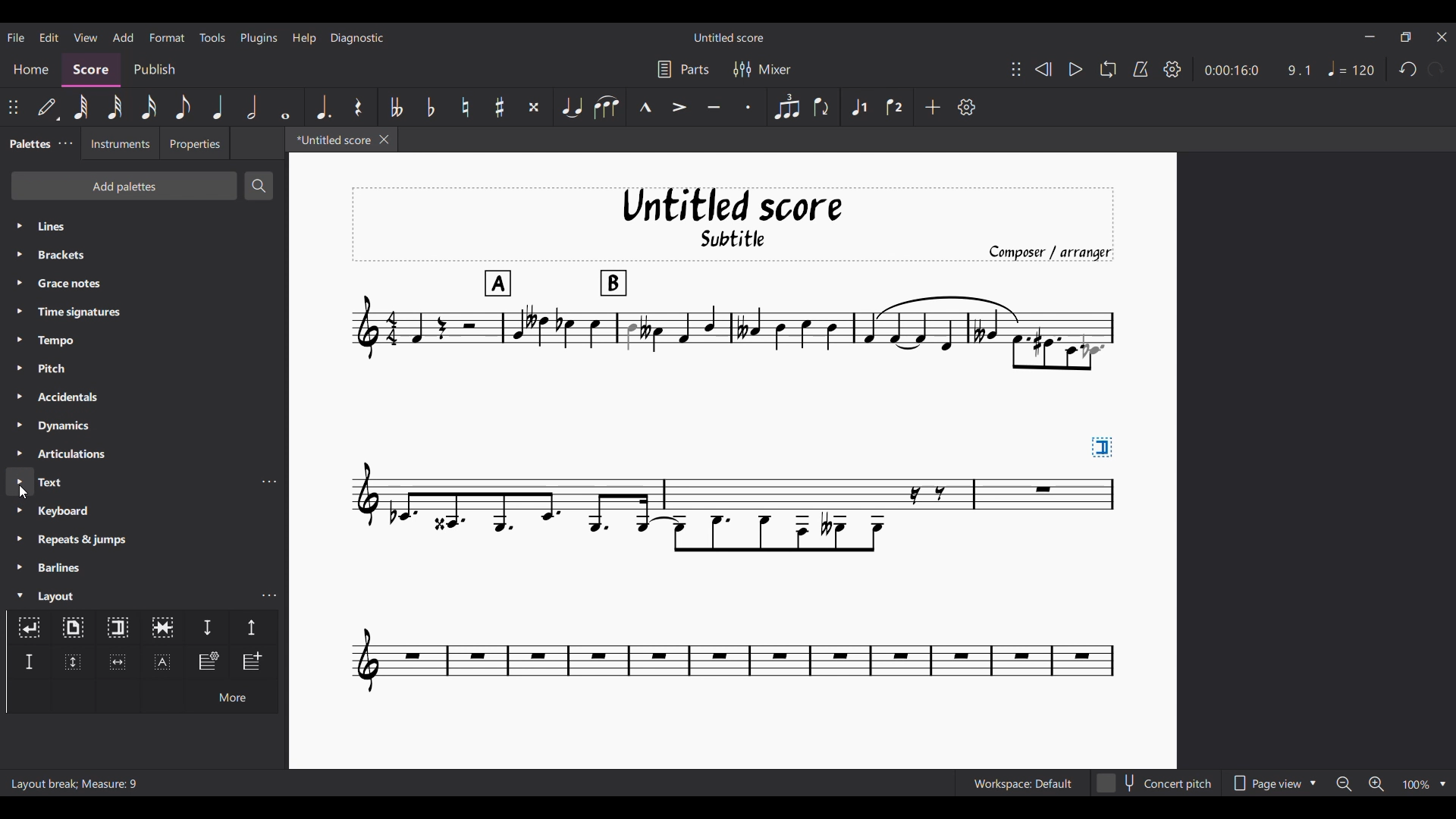  Describe the element at coordinates (645, 107) in the screenshot. I see `Marcato` at that location.